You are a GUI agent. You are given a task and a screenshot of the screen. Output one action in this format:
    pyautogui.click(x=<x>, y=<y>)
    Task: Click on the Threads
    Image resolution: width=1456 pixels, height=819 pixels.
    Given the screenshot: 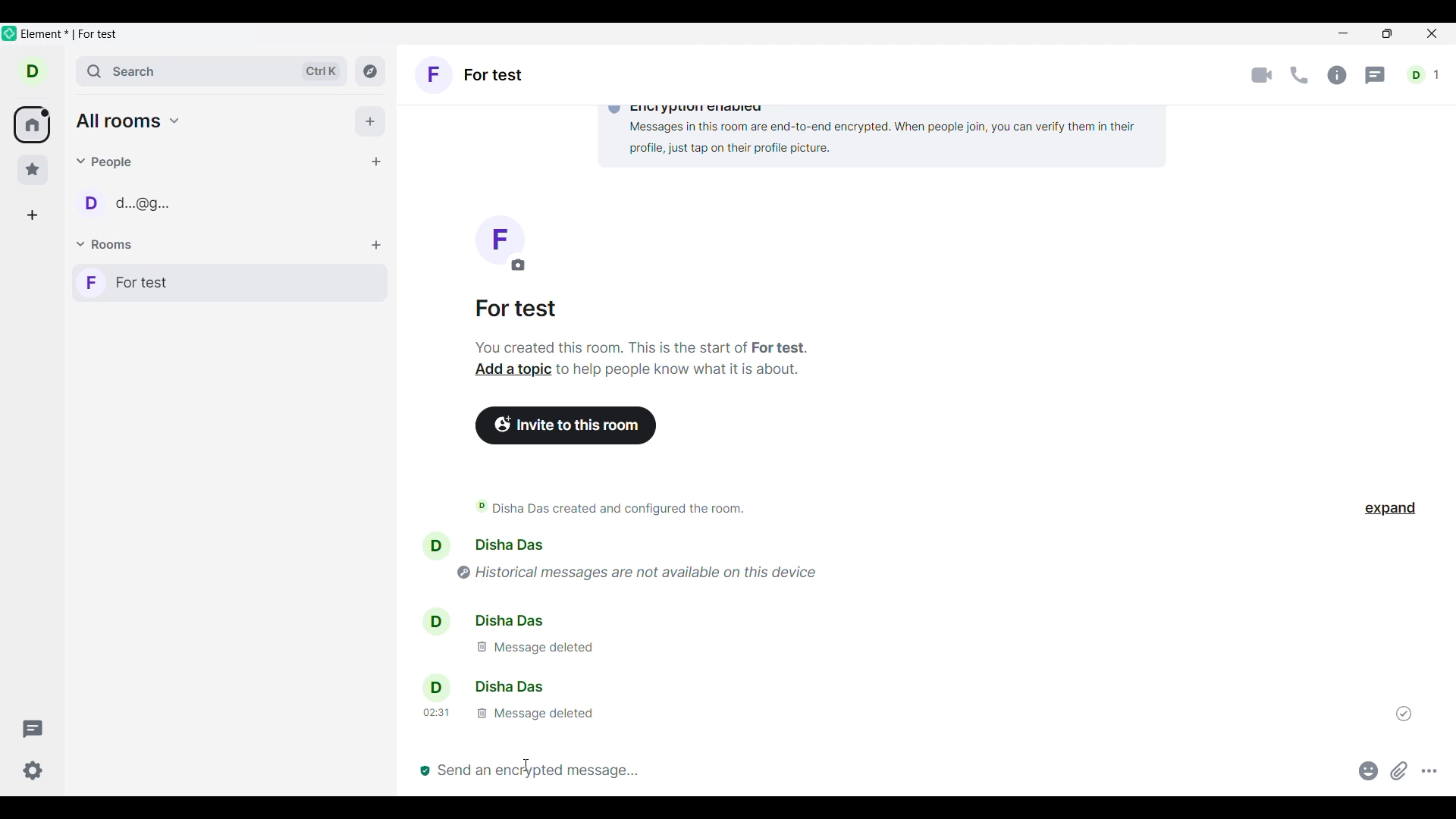 What is the action you would take?
    pyautogui.click(x=33, y=729)
    